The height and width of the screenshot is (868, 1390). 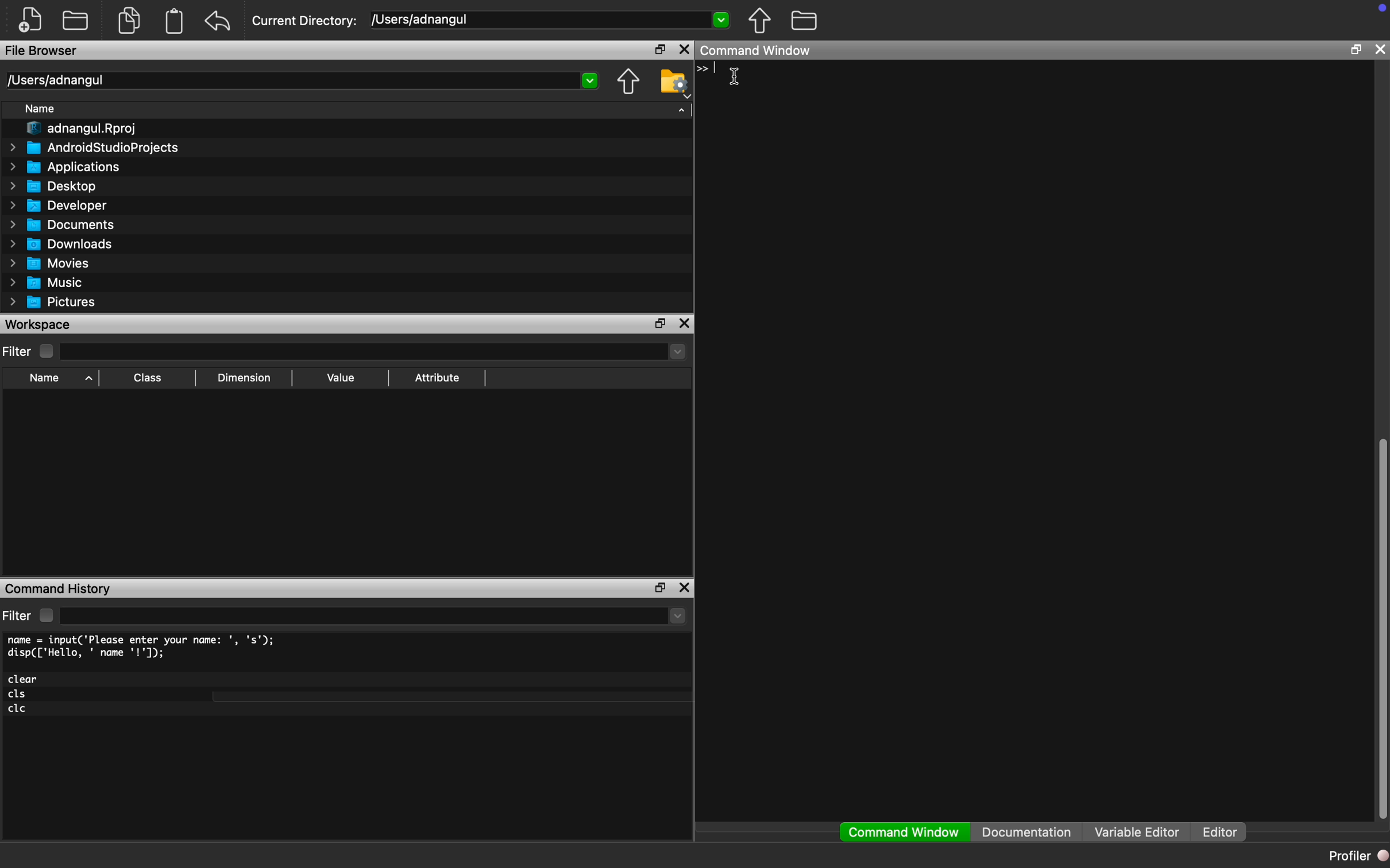 What do you see at coordinates (53, 187) in the screenshot?
I see `Desktop` at bounding box center [53, 187].